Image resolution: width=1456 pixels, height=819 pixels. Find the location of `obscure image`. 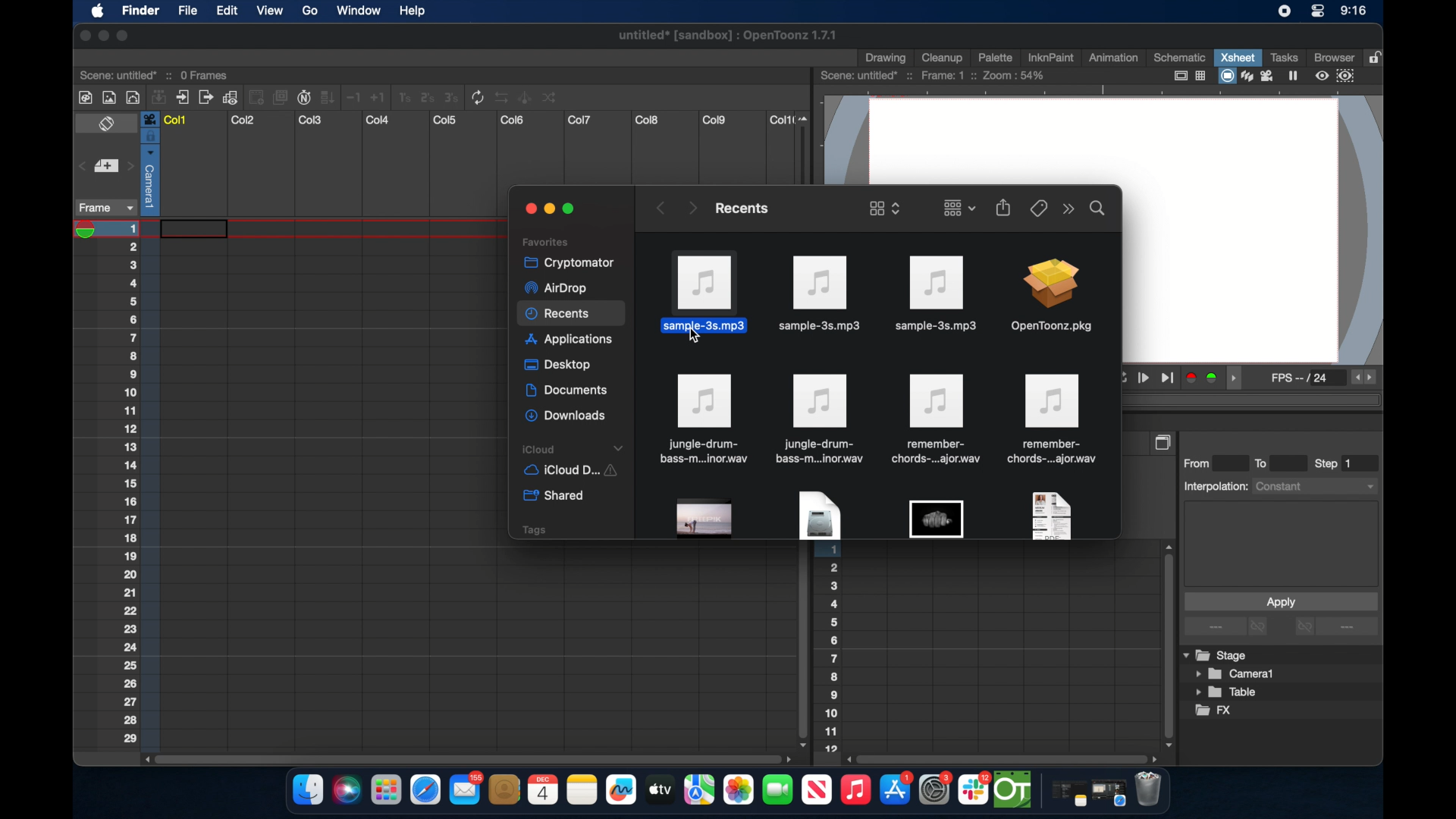

obscure image is located at coordinates (936, 519).